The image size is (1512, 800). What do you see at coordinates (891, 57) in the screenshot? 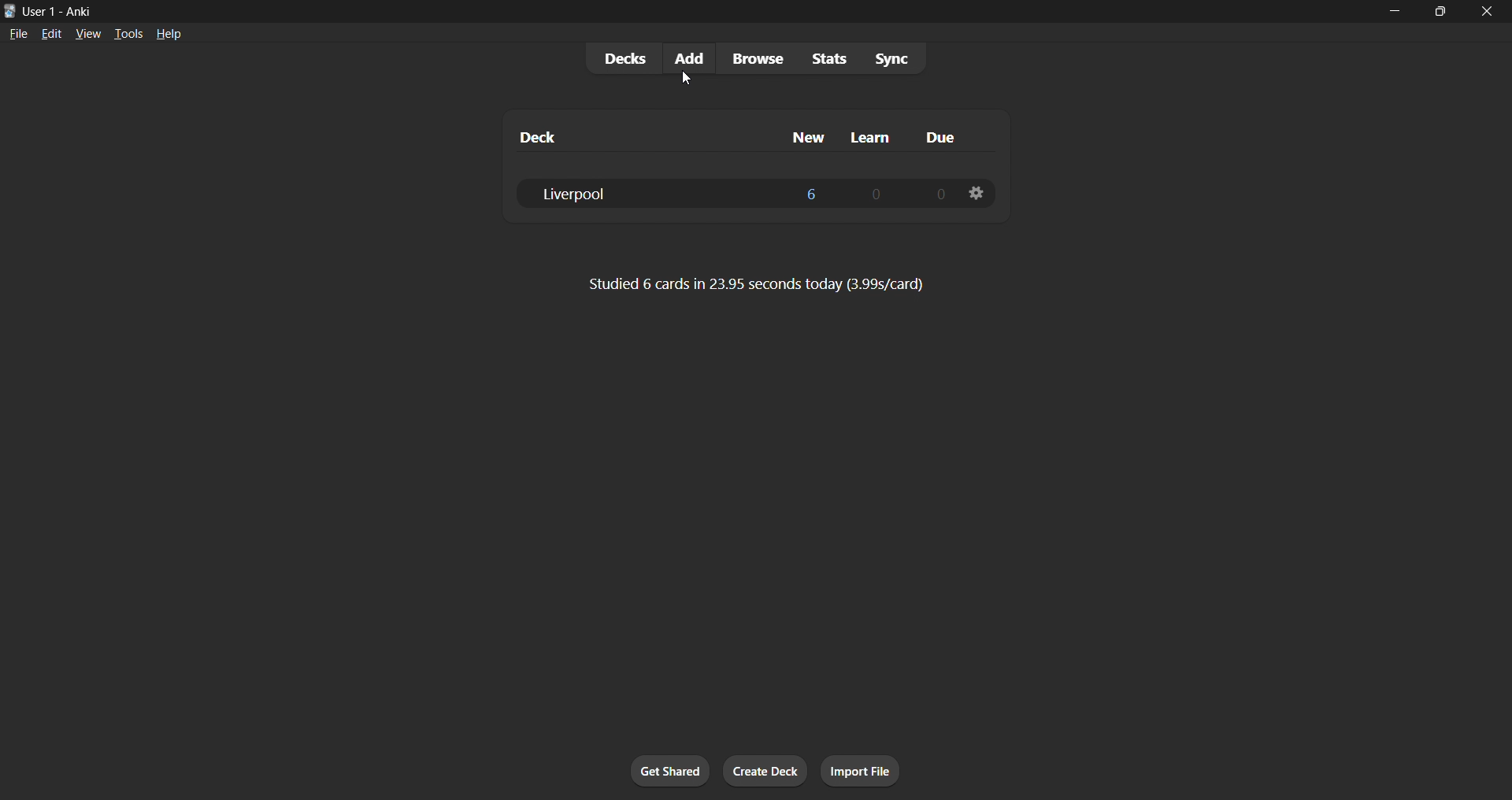
I see `sync` at bounding box center [891, 57].